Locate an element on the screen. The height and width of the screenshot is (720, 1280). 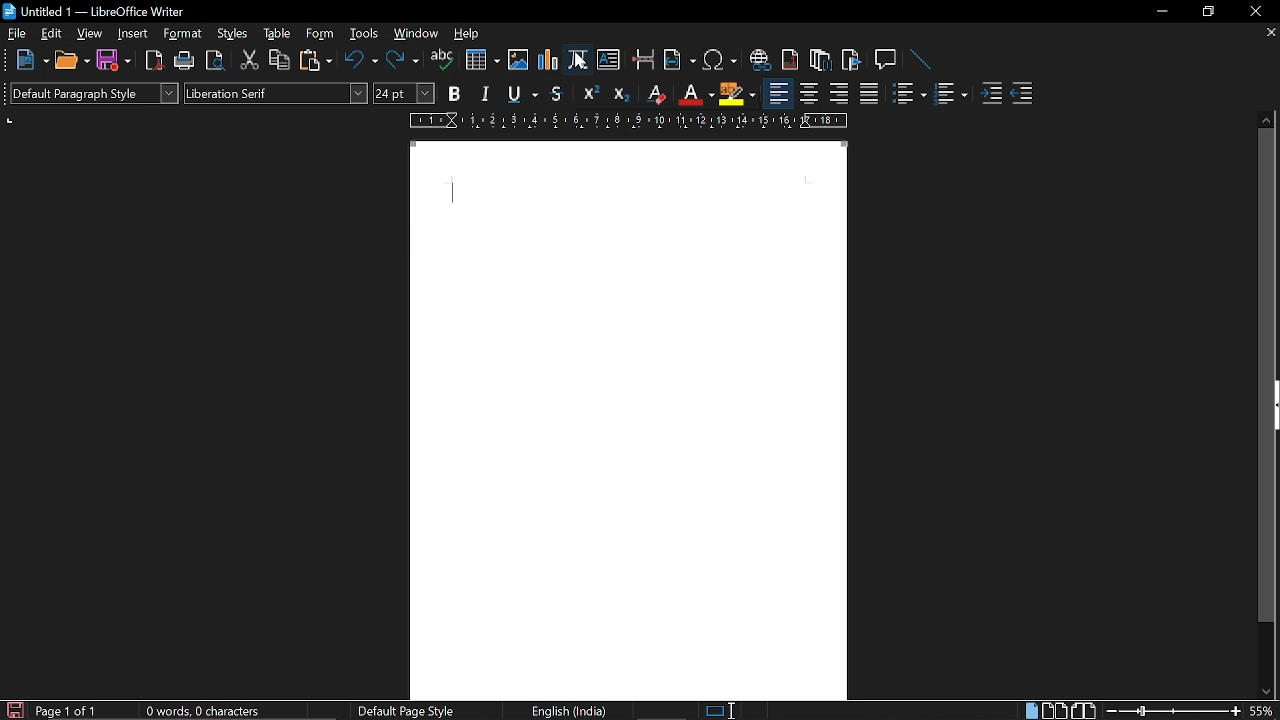
decrease indent is located at coordinates (1022, 96).